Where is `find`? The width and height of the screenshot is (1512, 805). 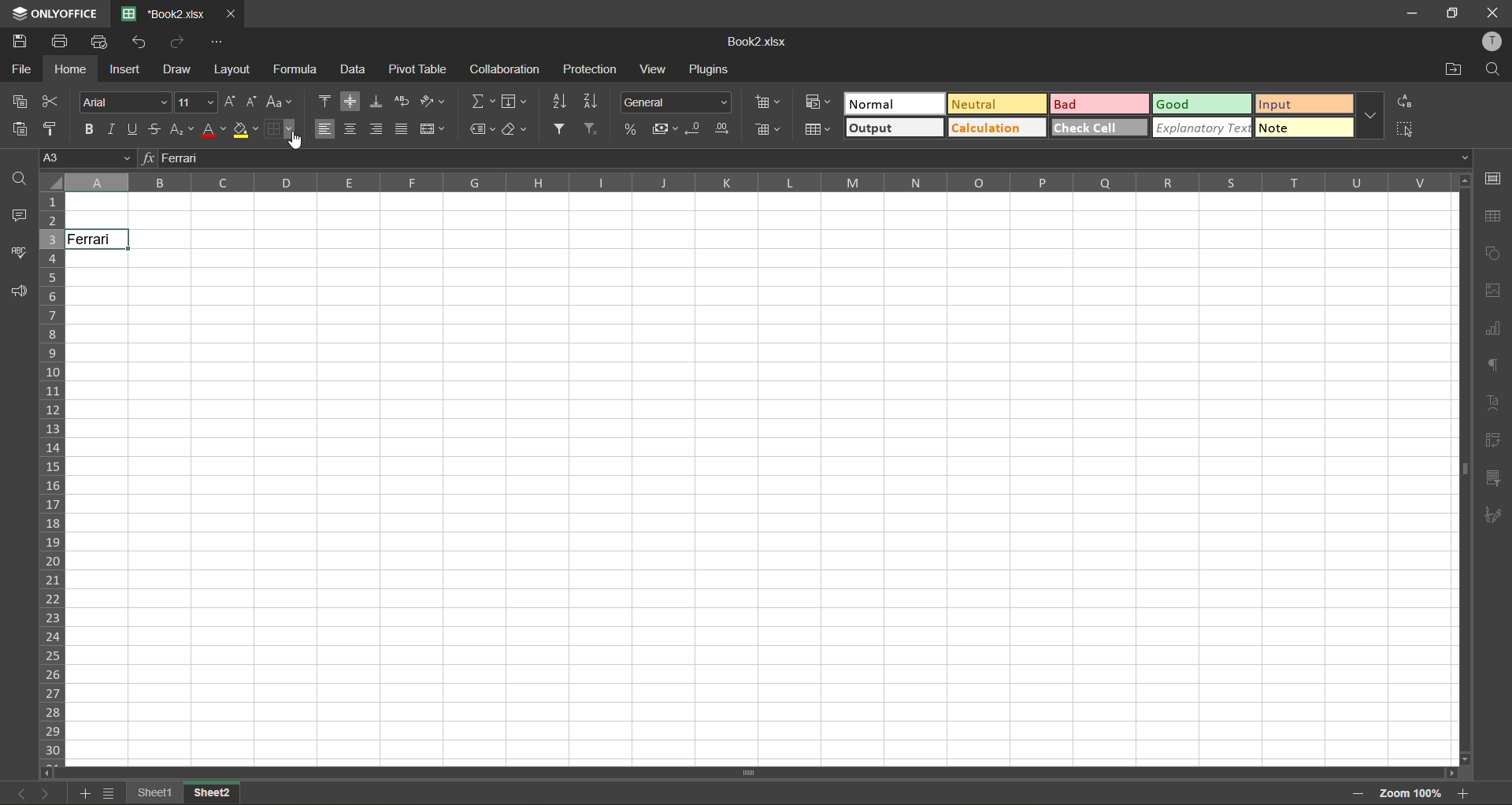 find is located at coordinates (1495, 71).